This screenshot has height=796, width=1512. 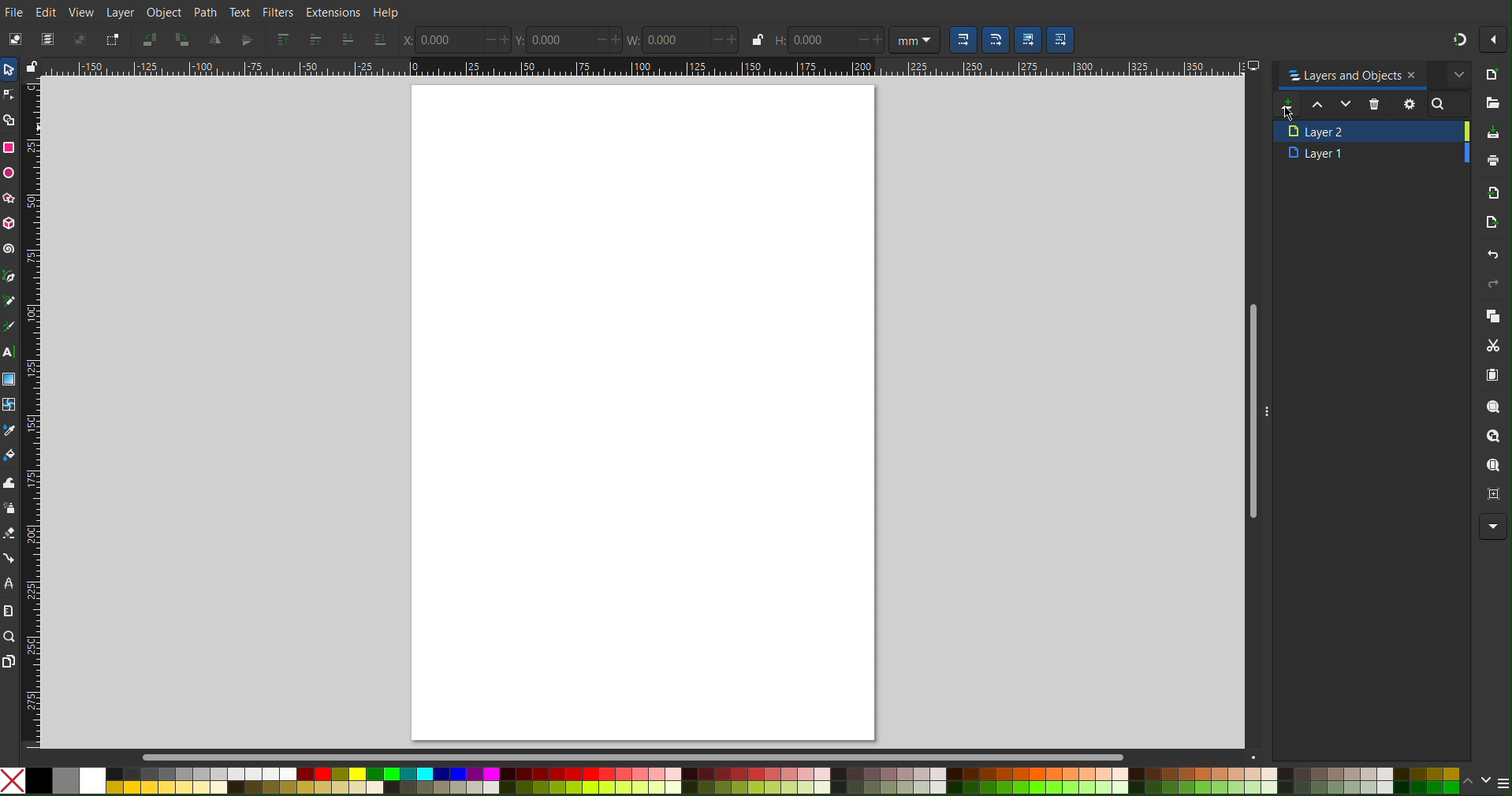 I want to click on Send selection one layer up, so click(x=316, y=39).